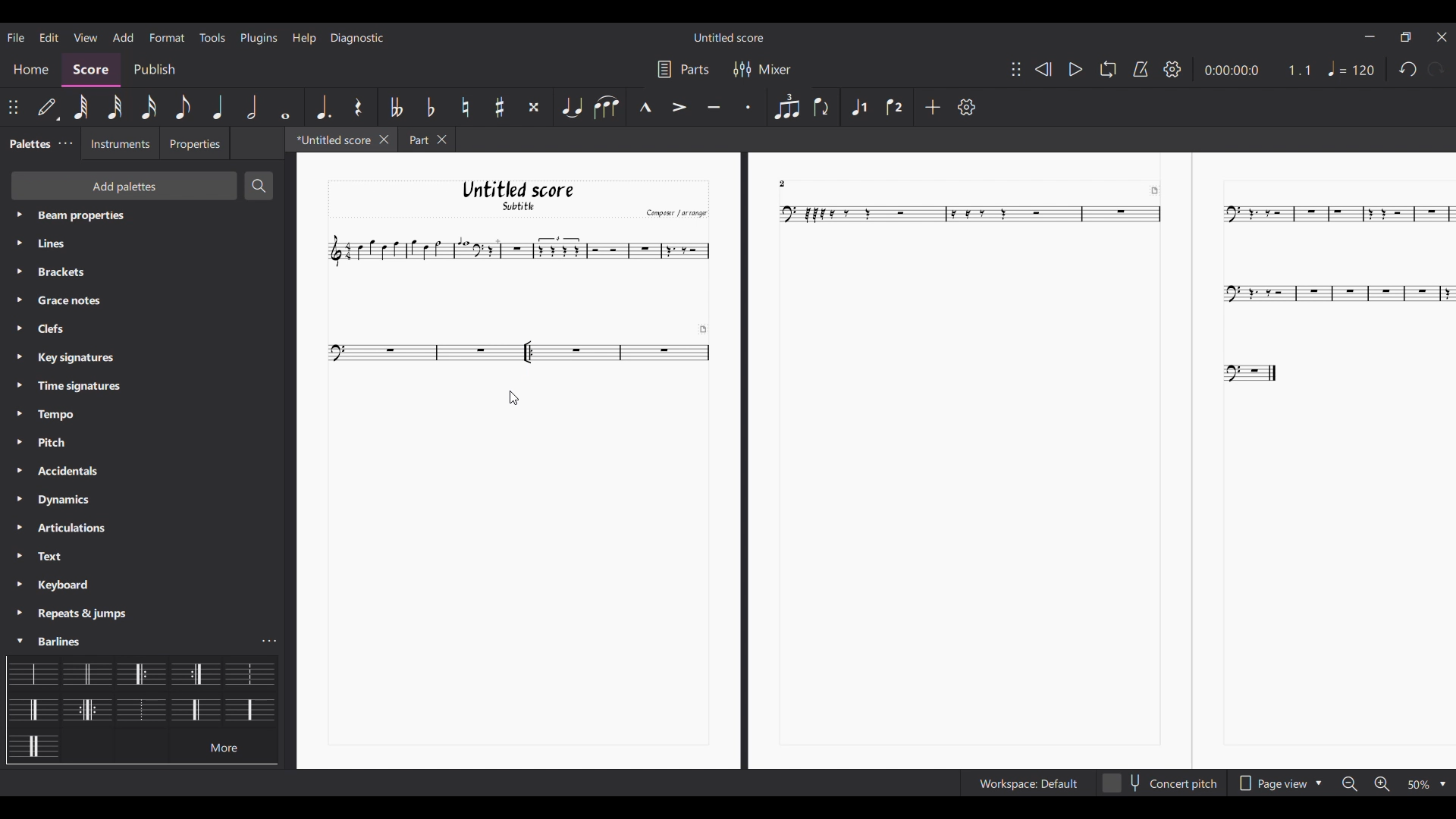  Describe the element at coordinates (65, 143) in the screenshot. I see `Palette settings` at that location.